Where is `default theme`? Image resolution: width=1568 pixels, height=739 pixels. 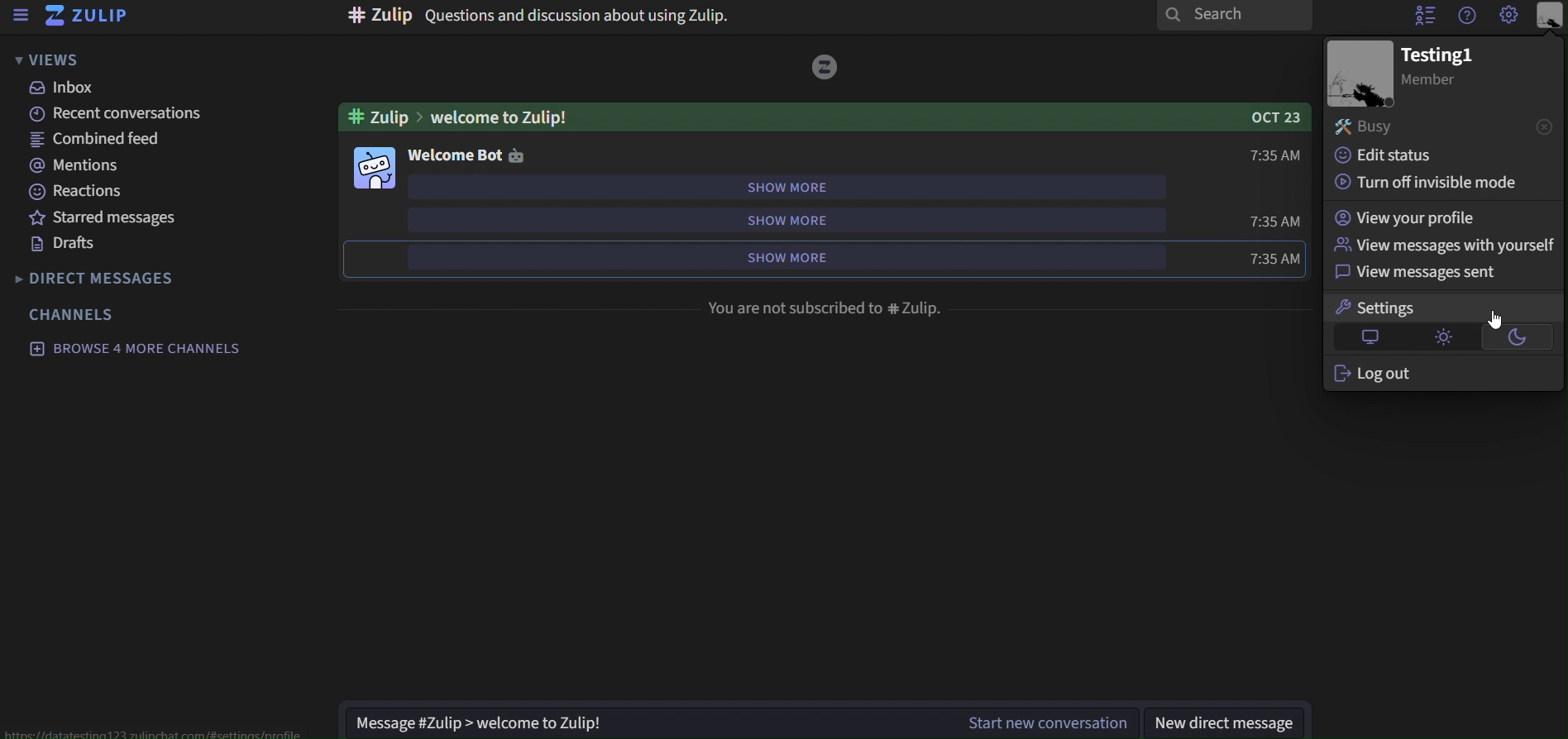
default theme is located at coordinates (1367, 336).